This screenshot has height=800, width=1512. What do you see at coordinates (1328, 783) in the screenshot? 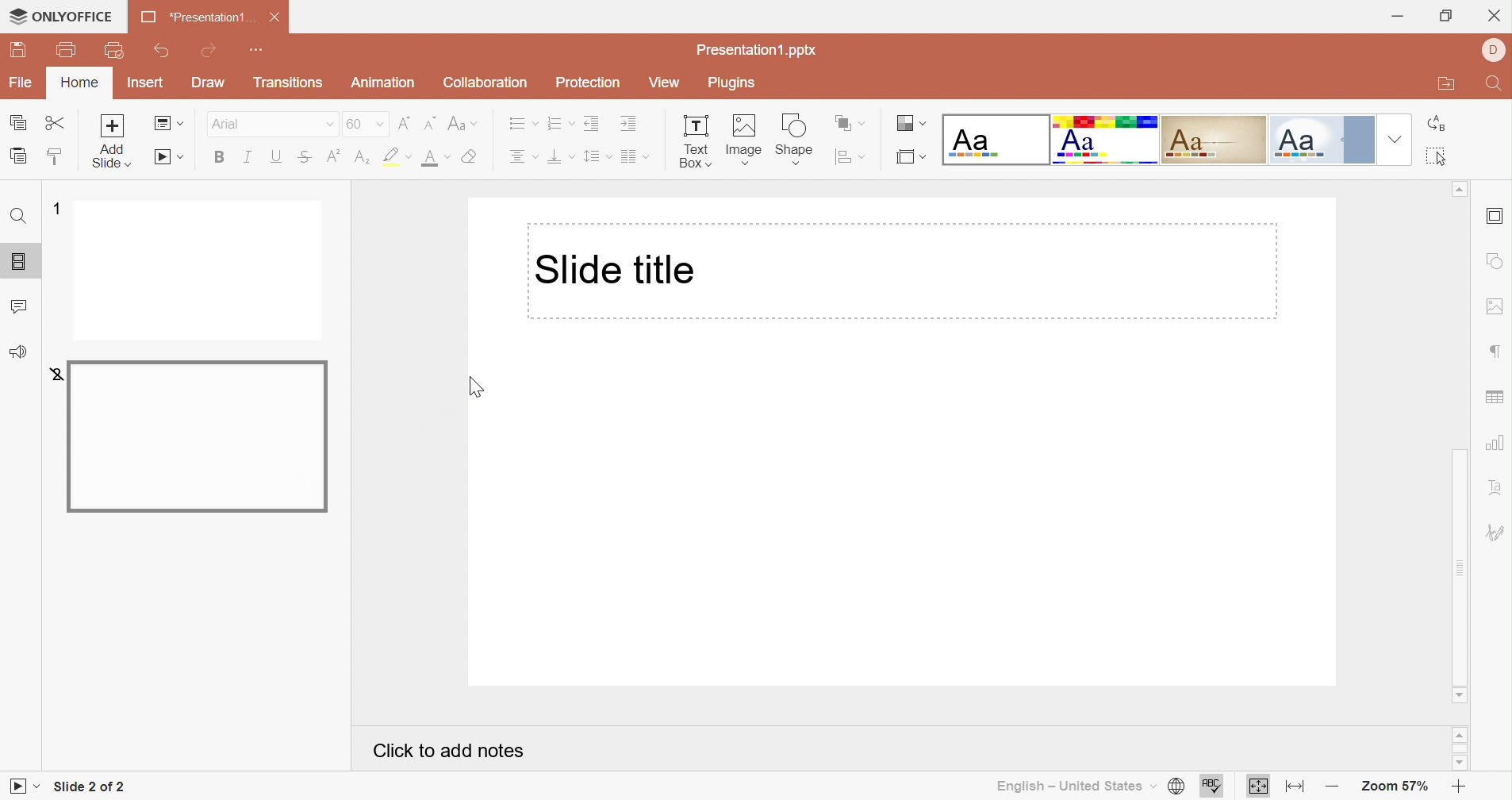
I see `Zoom out` at bounding box center [1328, 783].